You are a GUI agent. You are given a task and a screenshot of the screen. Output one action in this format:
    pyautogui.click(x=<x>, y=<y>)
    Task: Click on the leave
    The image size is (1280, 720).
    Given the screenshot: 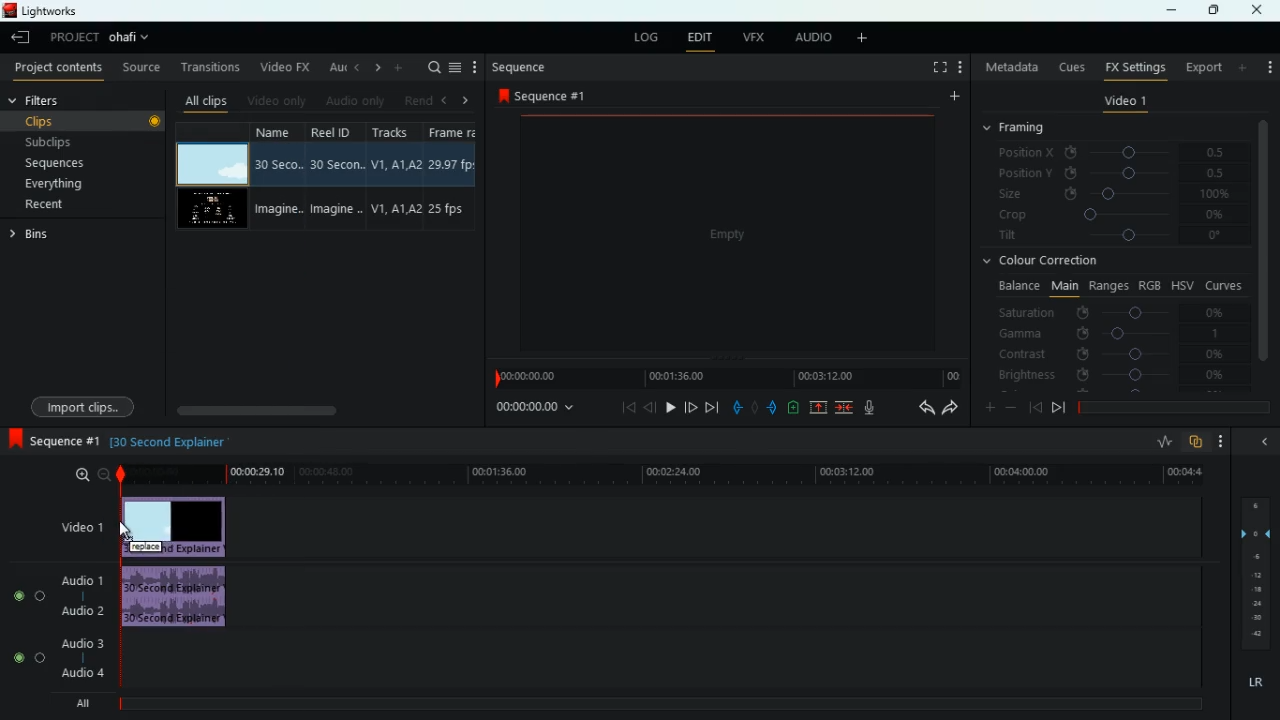 What is the action you would take?
    pyautogui.click(x=20, y=37)
    